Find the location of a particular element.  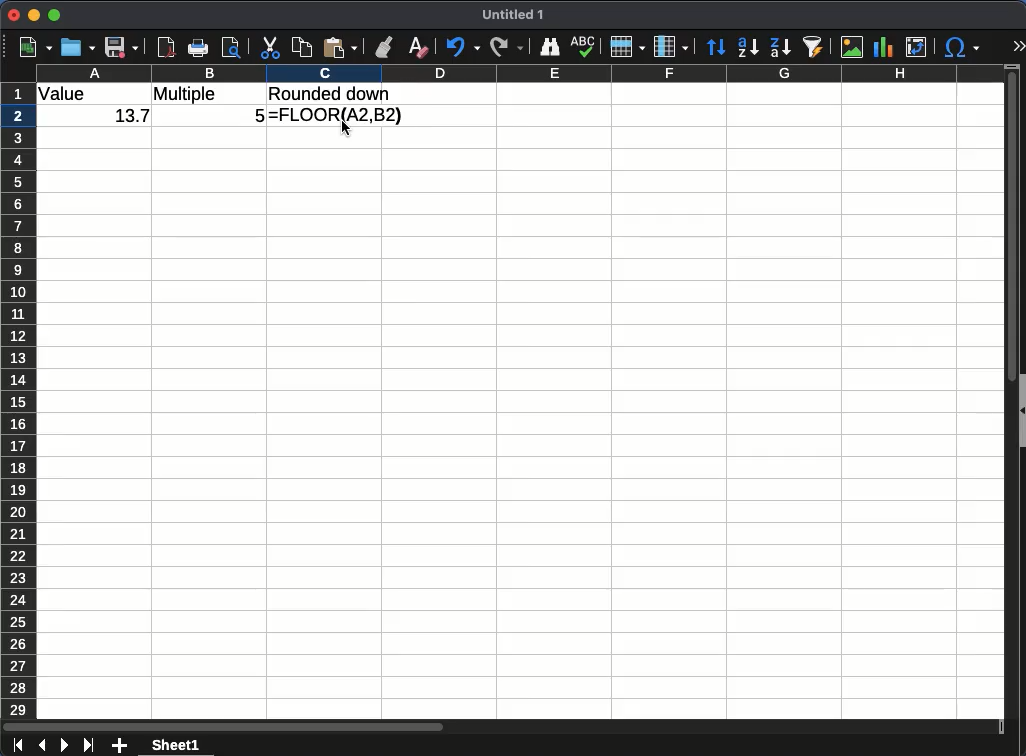

minimize is located at coordinates (35, 16).